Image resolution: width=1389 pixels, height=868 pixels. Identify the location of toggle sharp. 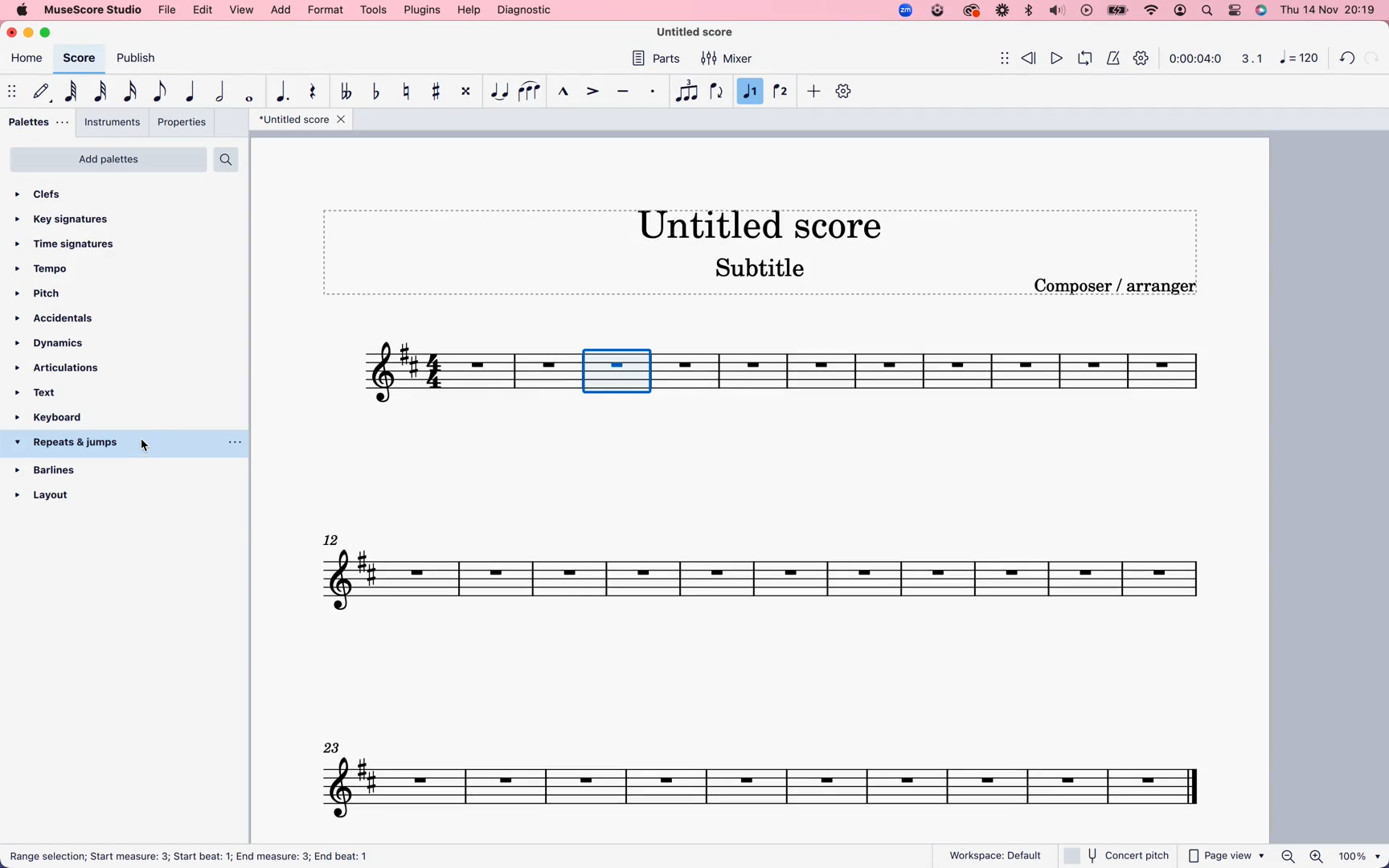
(440, 92).